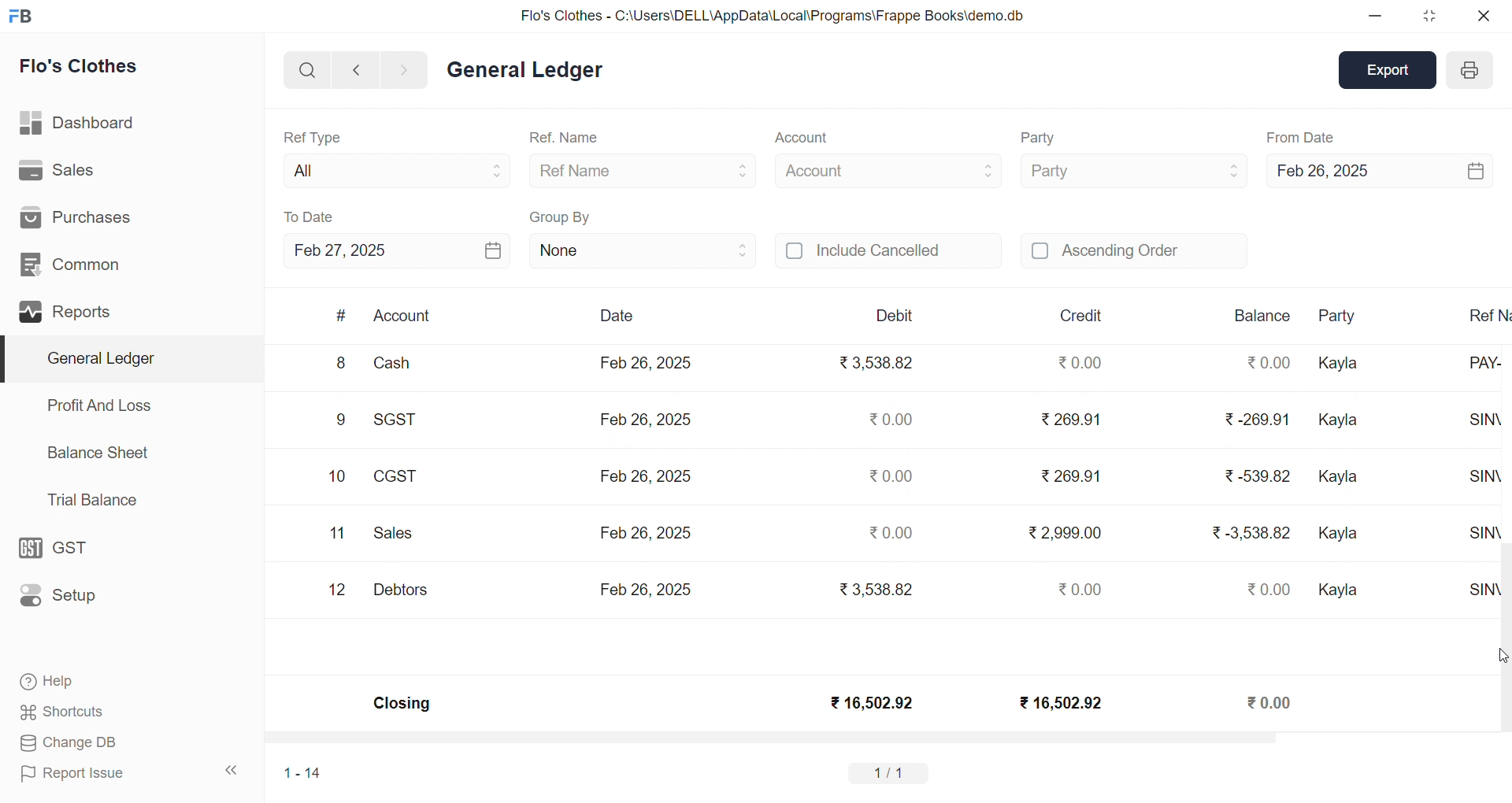 Image resolution: width=1512 pixels, height=803 pixels. I want to click on Account, so click(800, 139).